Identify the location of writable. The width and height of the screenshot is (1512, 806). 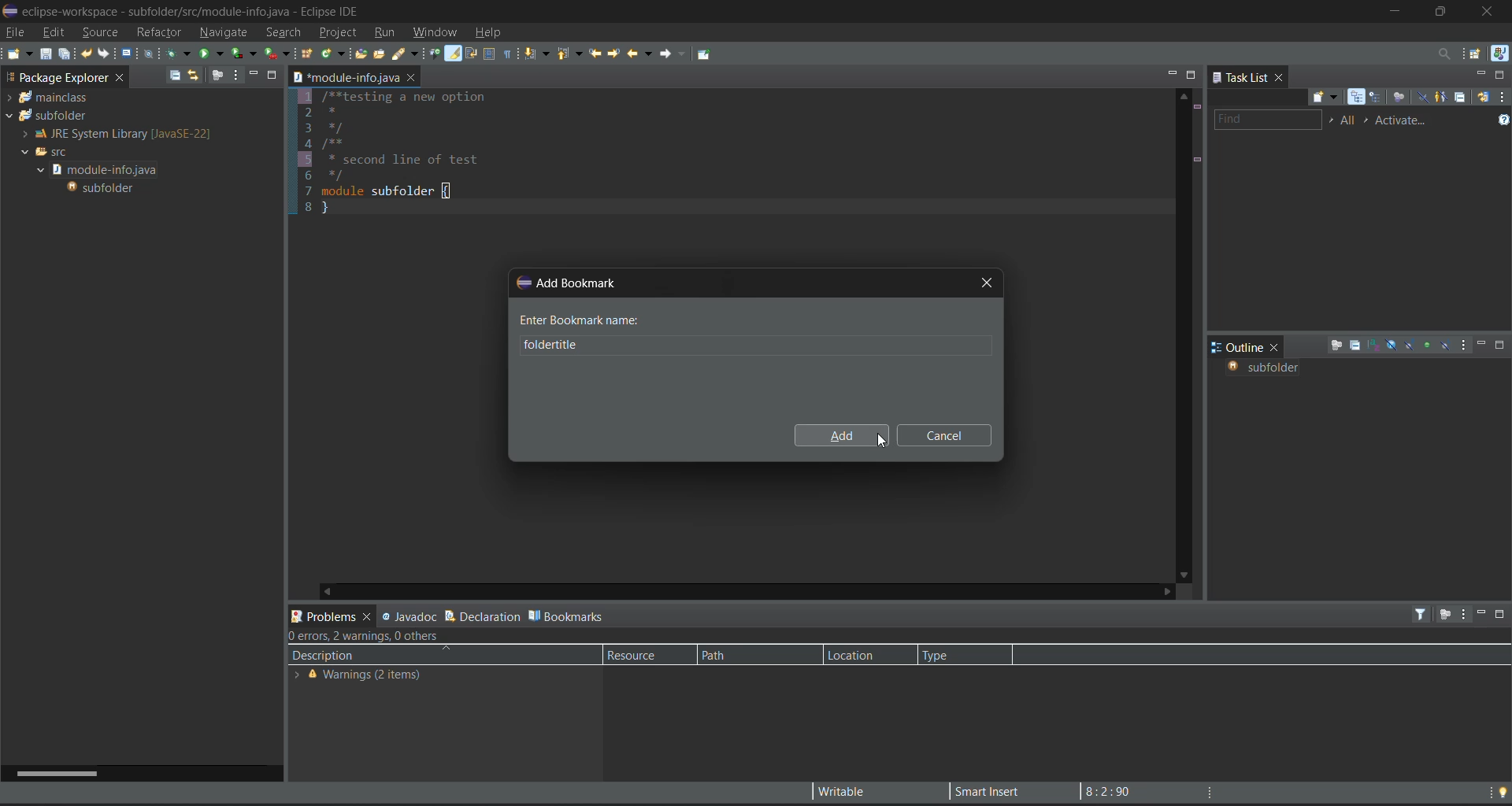
(847, 792).